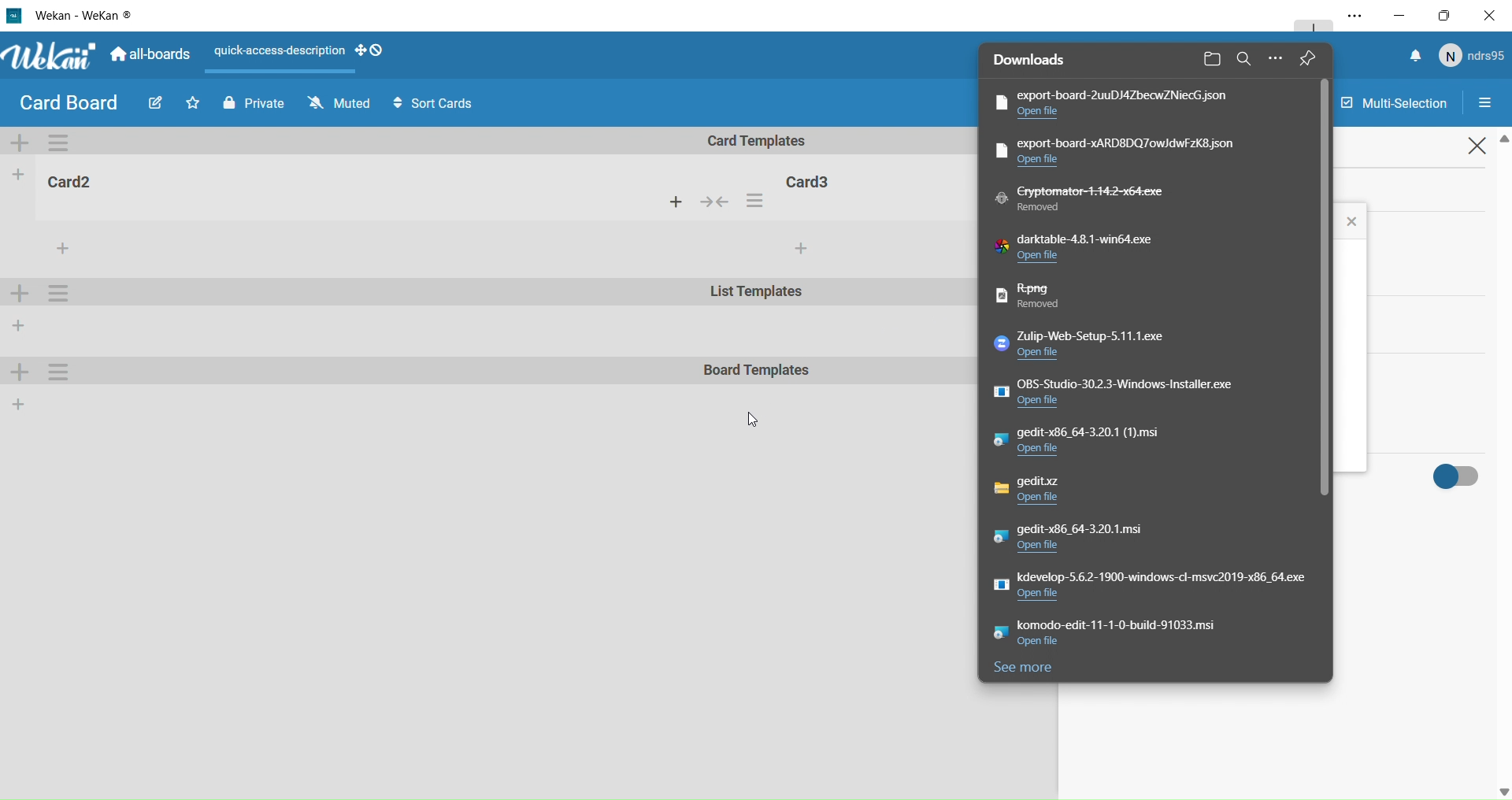 The width and height of the screenshot is (1512, 800). What do you see at coordinates (1036, 60) in the screenshot?
I see `Downloads` at bounding box center [1036, 60].